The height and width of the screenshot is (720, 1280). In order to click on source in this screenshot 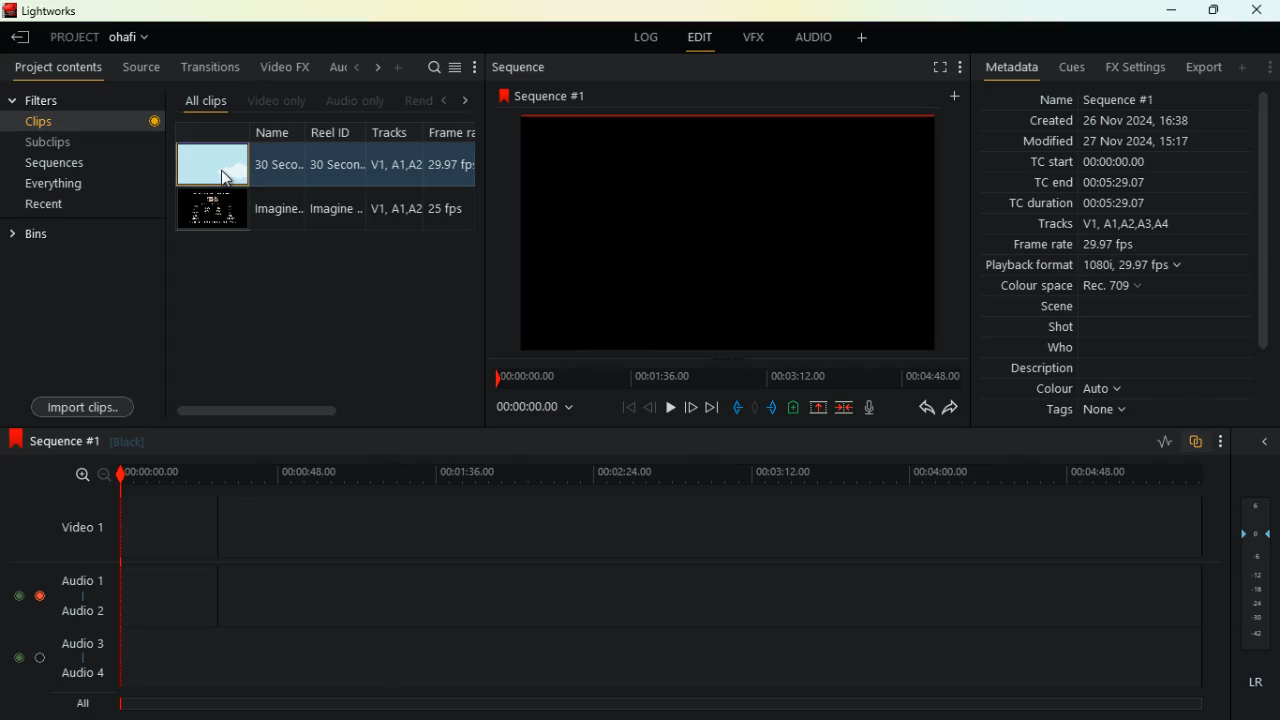, I will do `click(144, 69)`.